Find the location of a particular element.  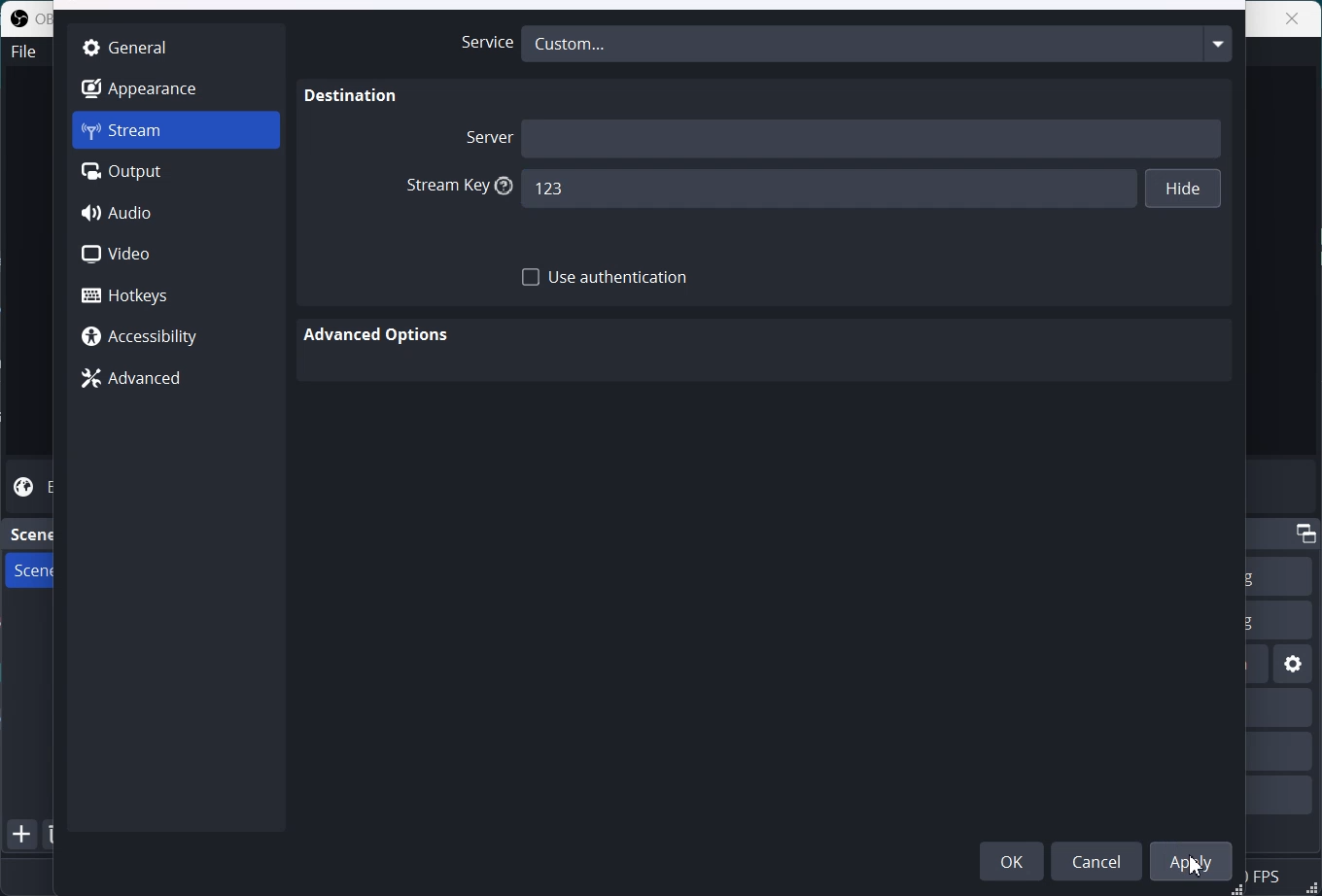

Advanced Option is located at coordinates (379, 335).